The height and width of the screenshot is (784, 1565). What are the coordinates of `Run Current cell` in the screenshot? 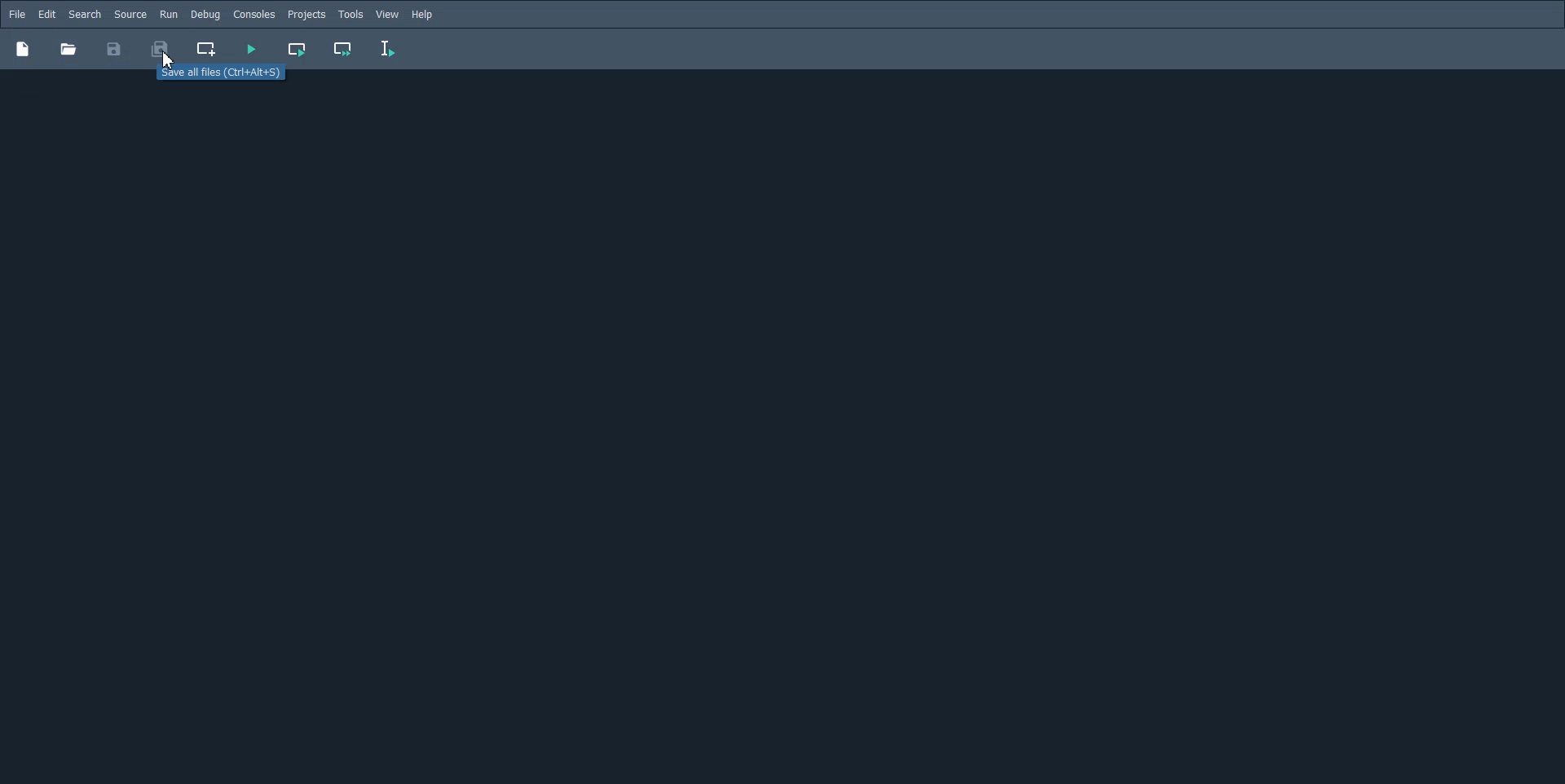 It's located at (298, 49).